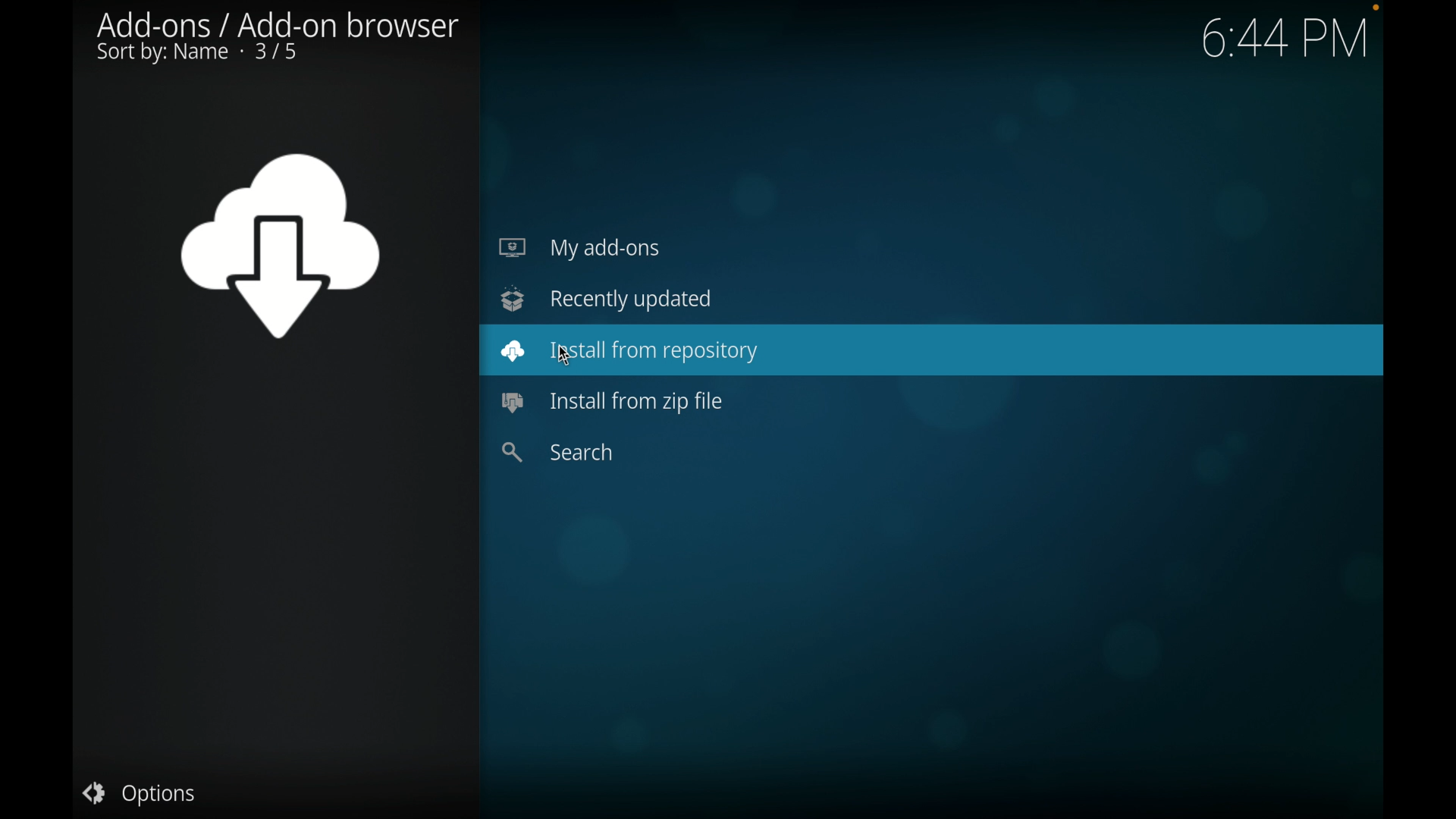 This screenshot has height=819, width=1456. What do you see at coordinates (579, 248) in the screenshot?
I see `my add-ons` at bounding box center [579, 248].